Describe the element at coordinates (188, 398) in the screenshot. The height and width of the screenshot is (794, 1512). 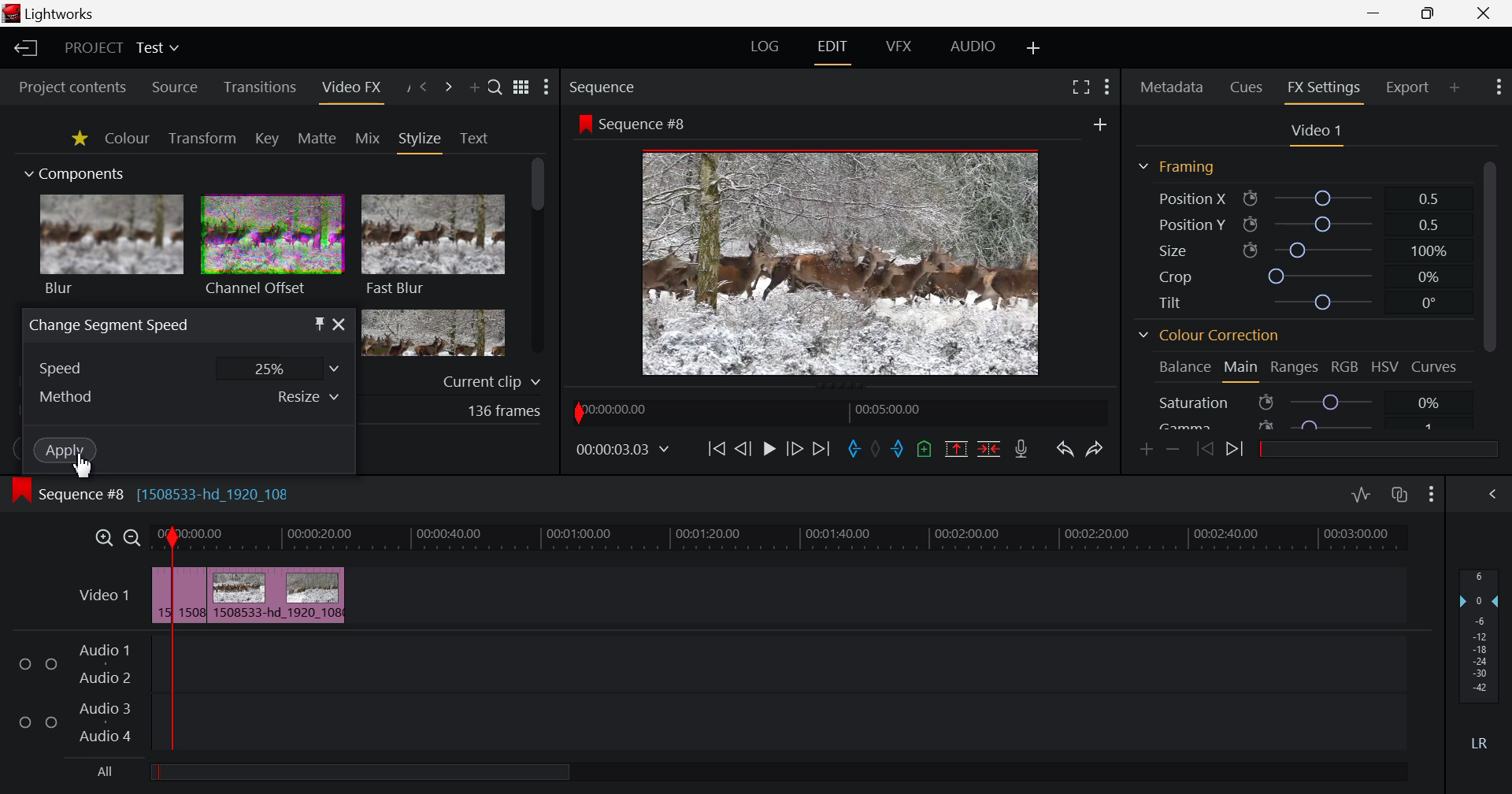
I see `Adjustment Method` at that location.